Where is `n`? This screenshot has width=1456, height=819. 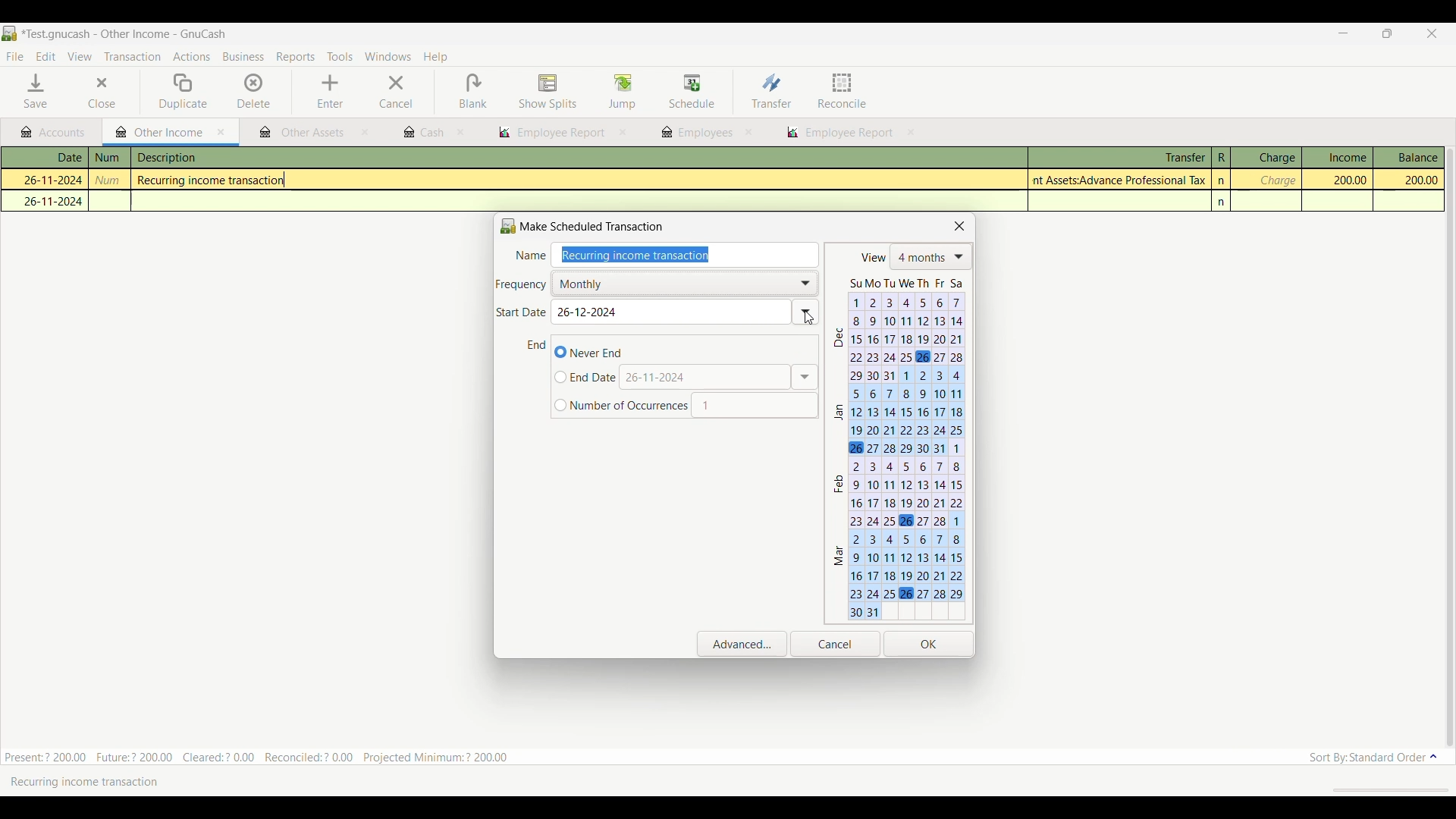
n is located at coordinates (1222, 180).